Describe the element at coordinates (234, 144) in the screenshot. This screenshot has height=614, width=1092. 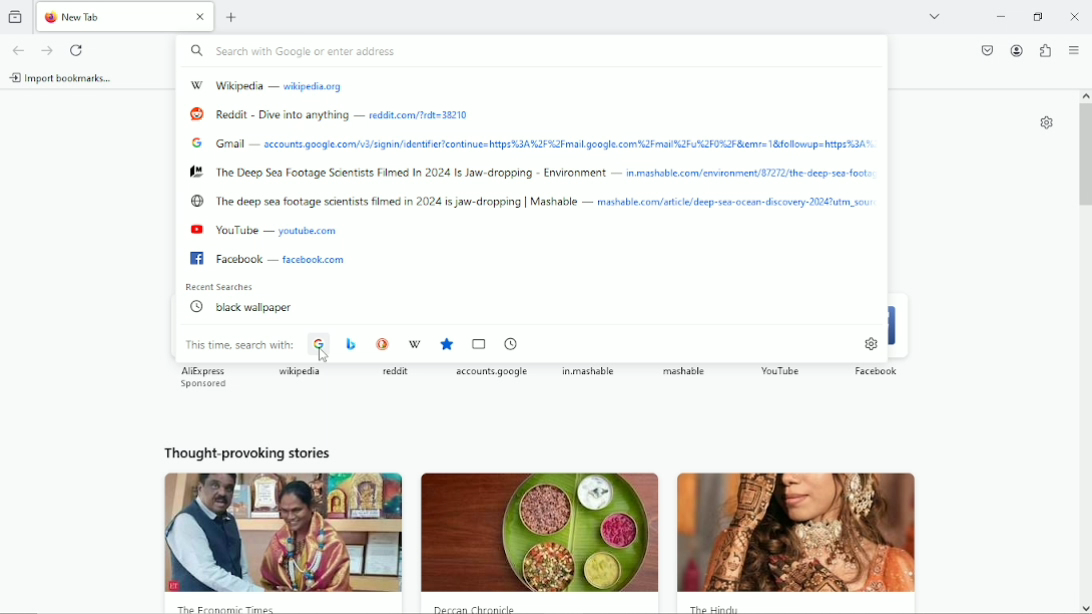
I see `Gmail` at that location.